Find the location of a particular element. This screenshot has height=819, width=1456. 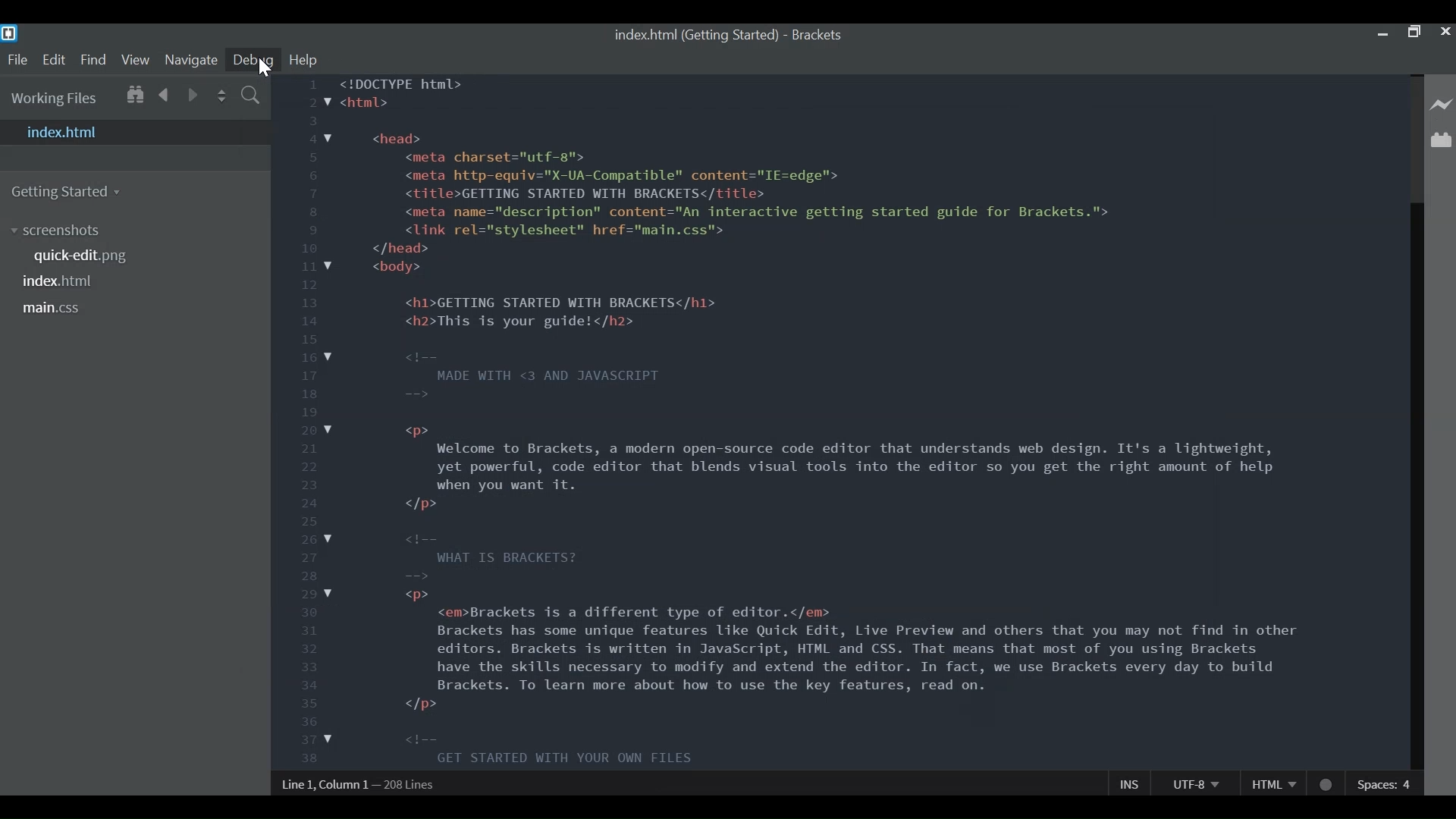

Edit is located at coordinates (54, 59).